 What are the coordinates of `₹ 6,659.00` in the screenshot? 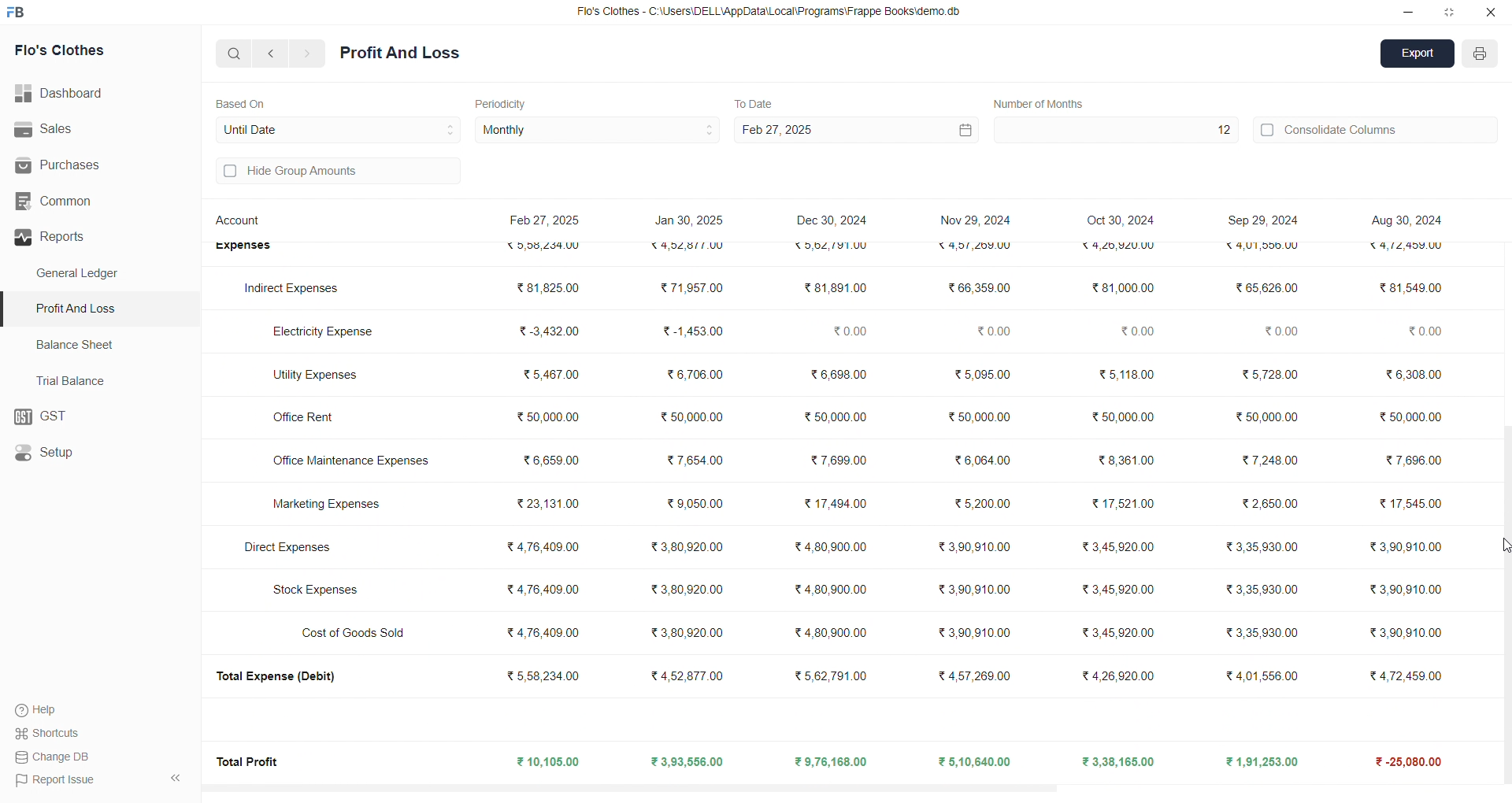 It's located at (549, 458).